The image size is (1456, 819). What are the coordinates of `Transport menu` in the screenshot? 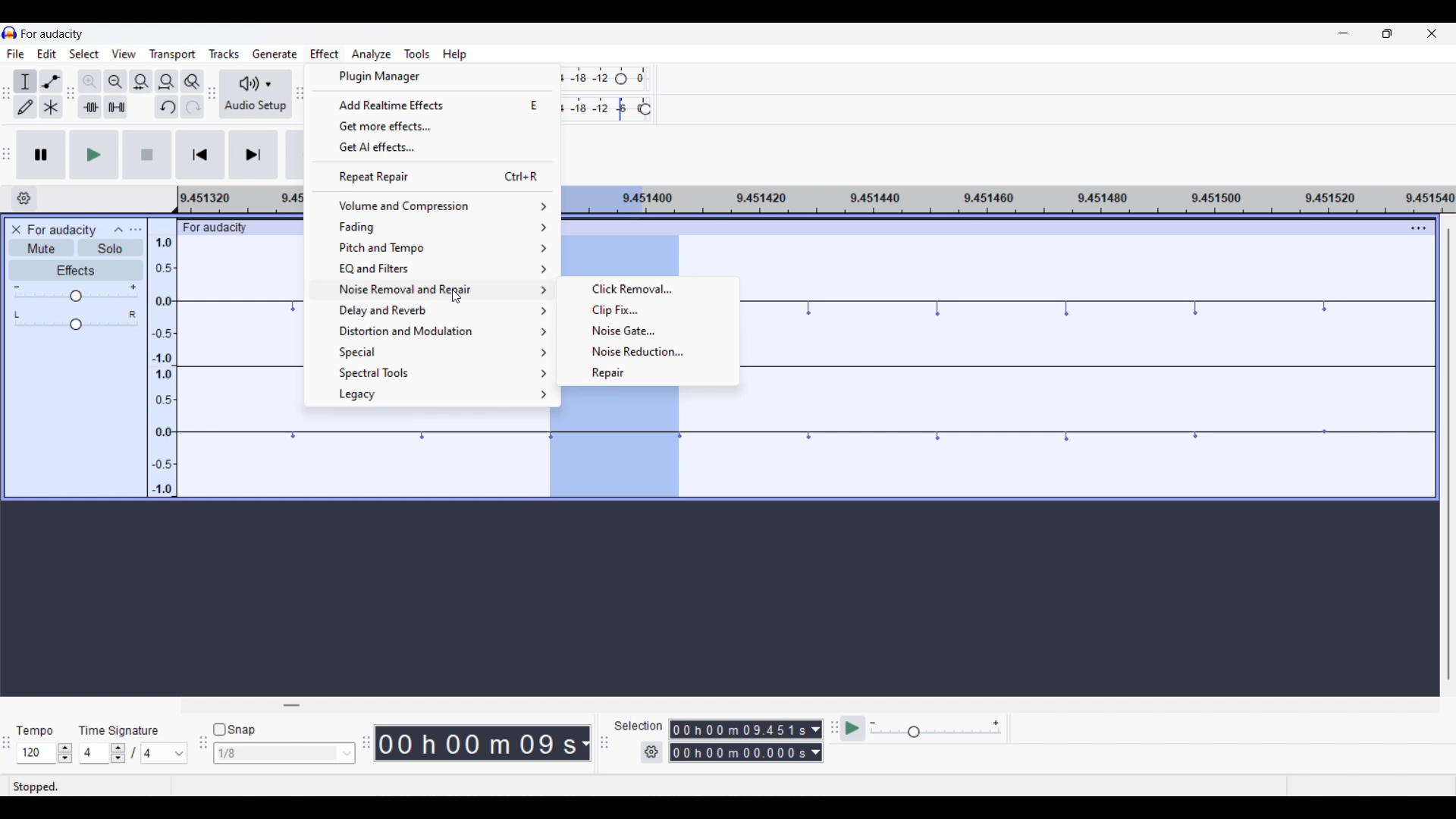 It's located at (172, 55).